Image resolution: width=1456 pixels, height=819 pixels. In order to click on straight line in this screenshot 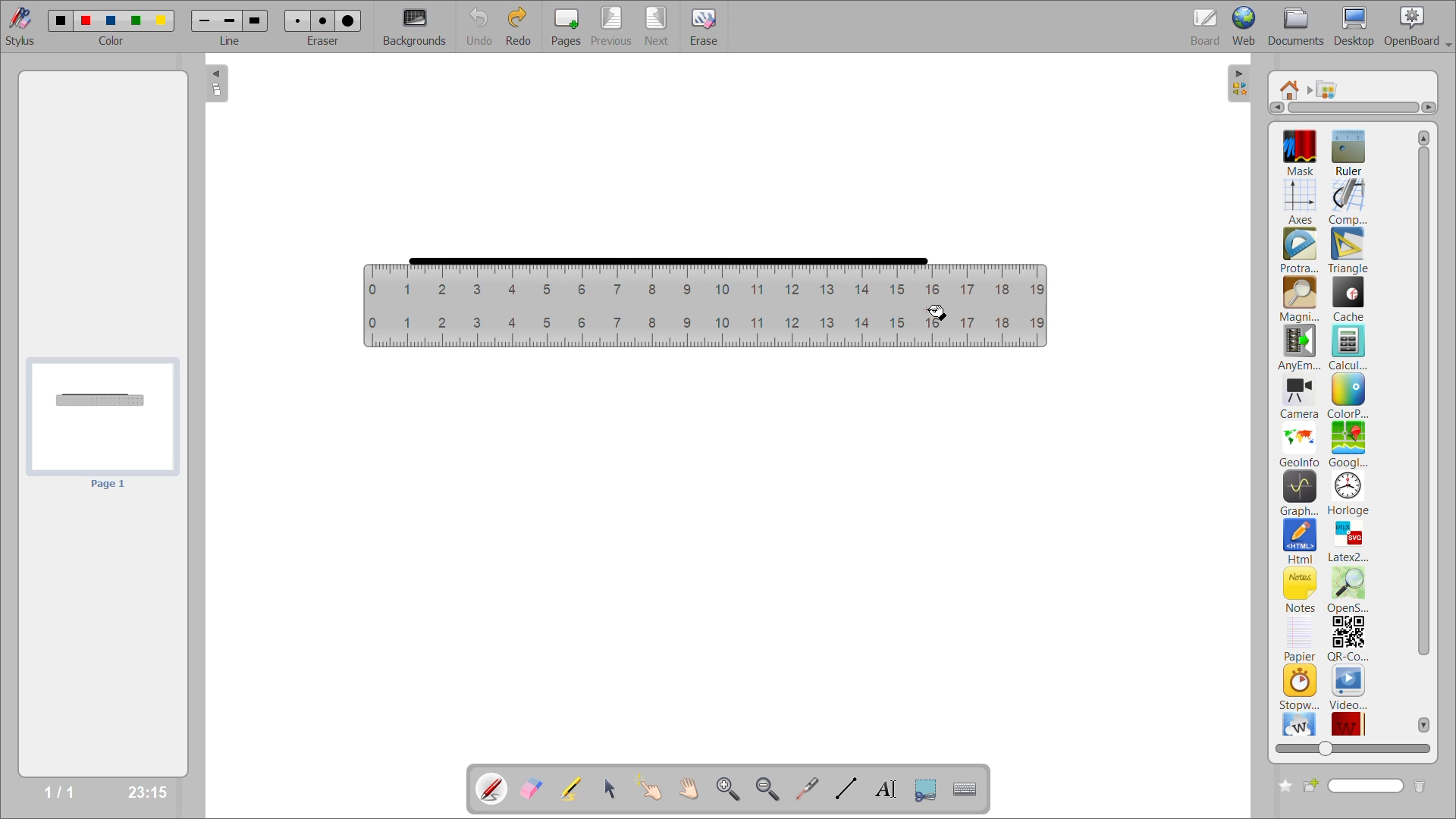, I will do `click(667, 260)`.